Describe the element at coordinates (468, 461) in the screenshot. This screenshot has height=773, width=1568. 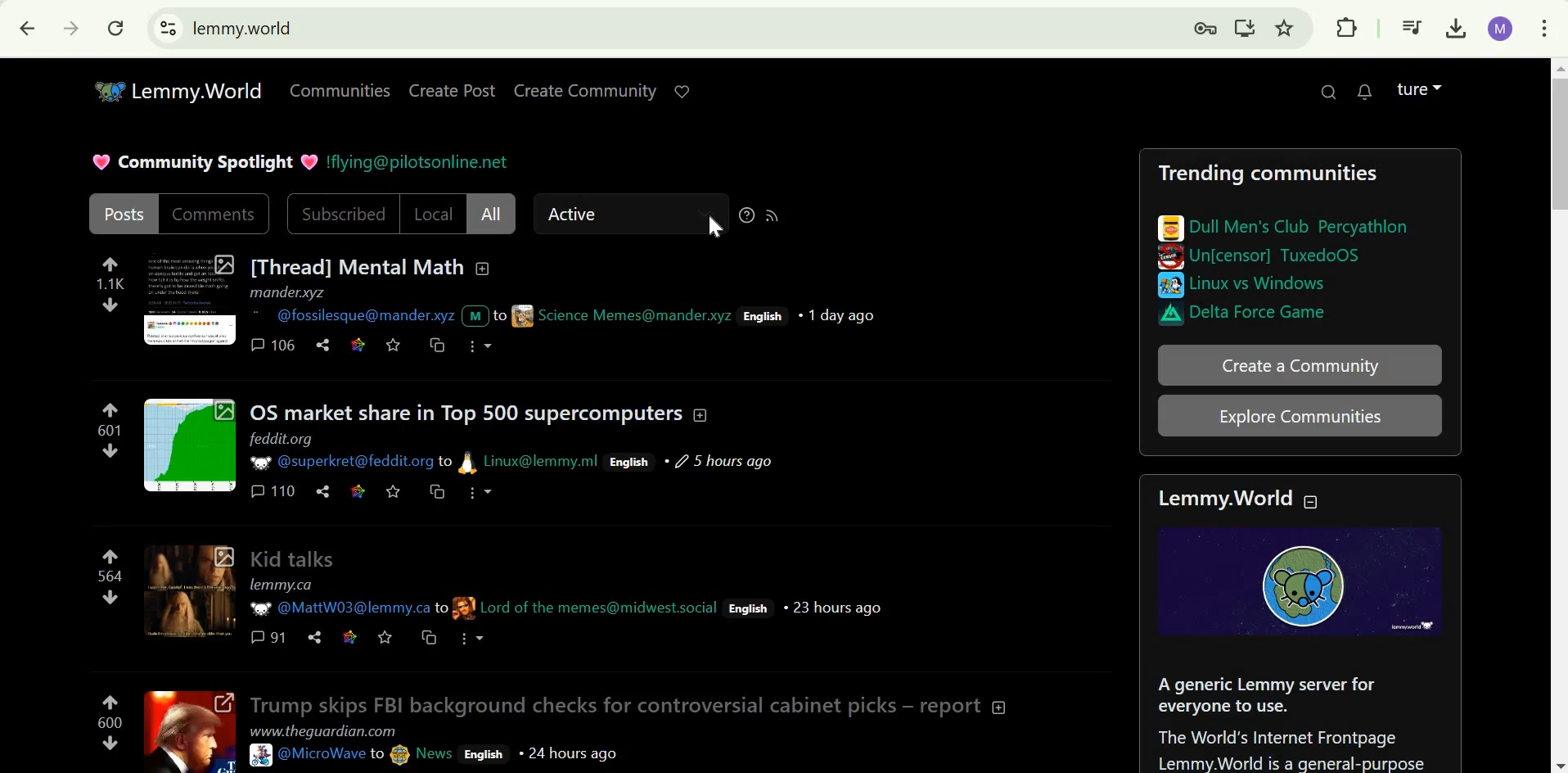
I see `picture` at that location.